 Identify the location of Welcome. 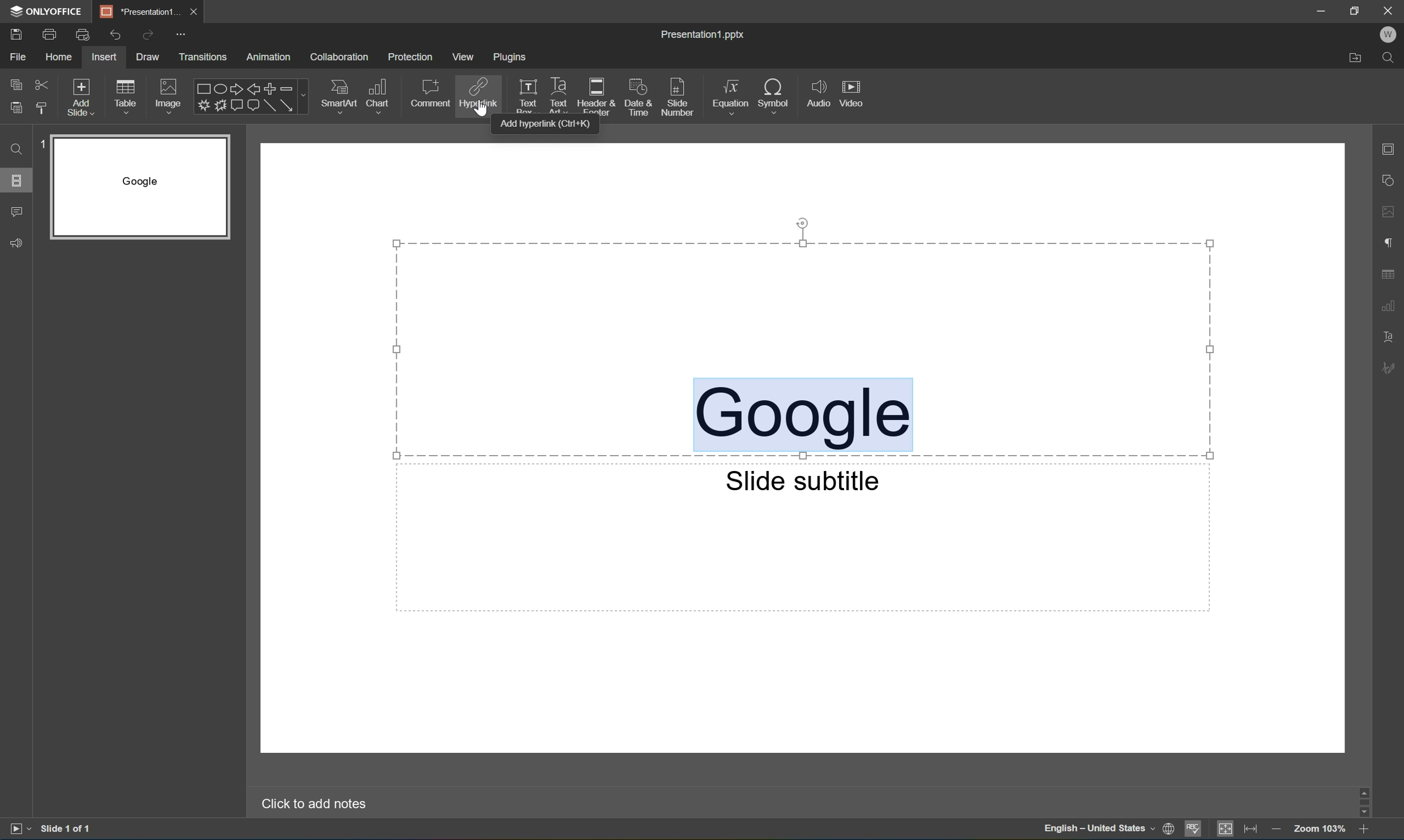
(1388, 35).